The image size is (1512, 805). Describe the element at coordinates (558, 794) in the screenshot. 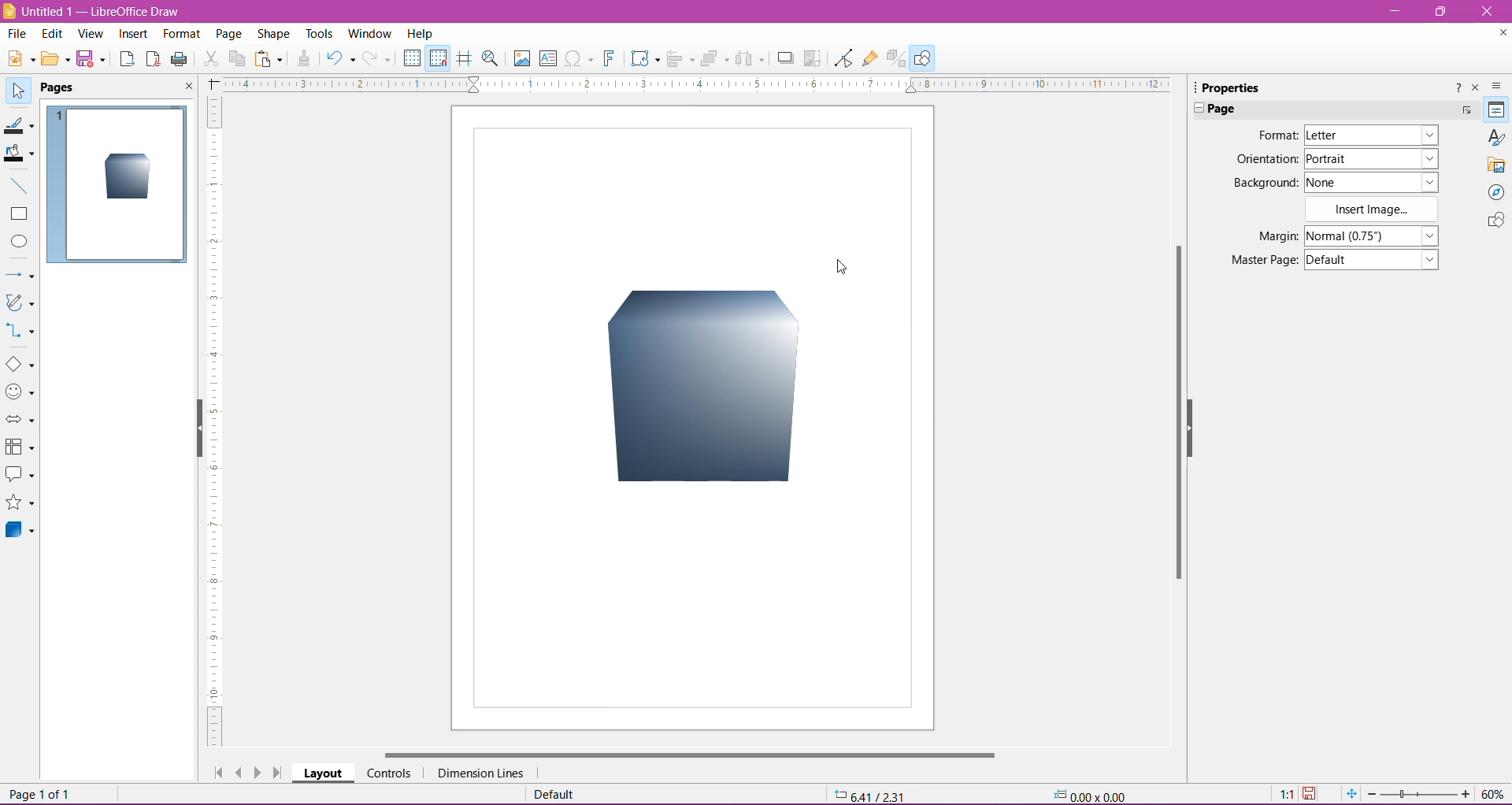

I see `Default` at that location.